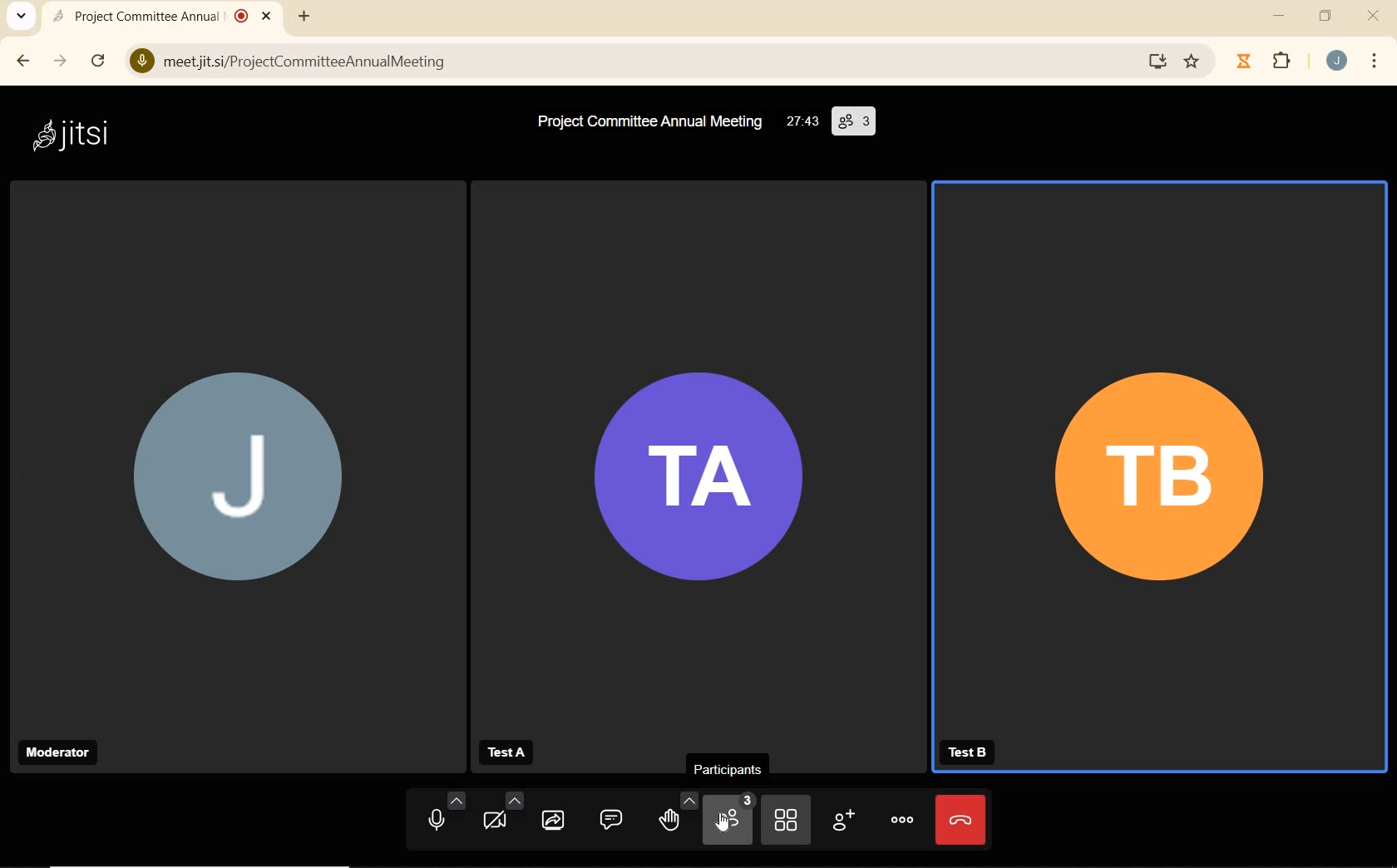 This screenshot has width=1397, height=868. What do you see at coordinates (1339, 62) in the screenshot?
I see `ACCOUNT` at bounding box center [1339, 62].